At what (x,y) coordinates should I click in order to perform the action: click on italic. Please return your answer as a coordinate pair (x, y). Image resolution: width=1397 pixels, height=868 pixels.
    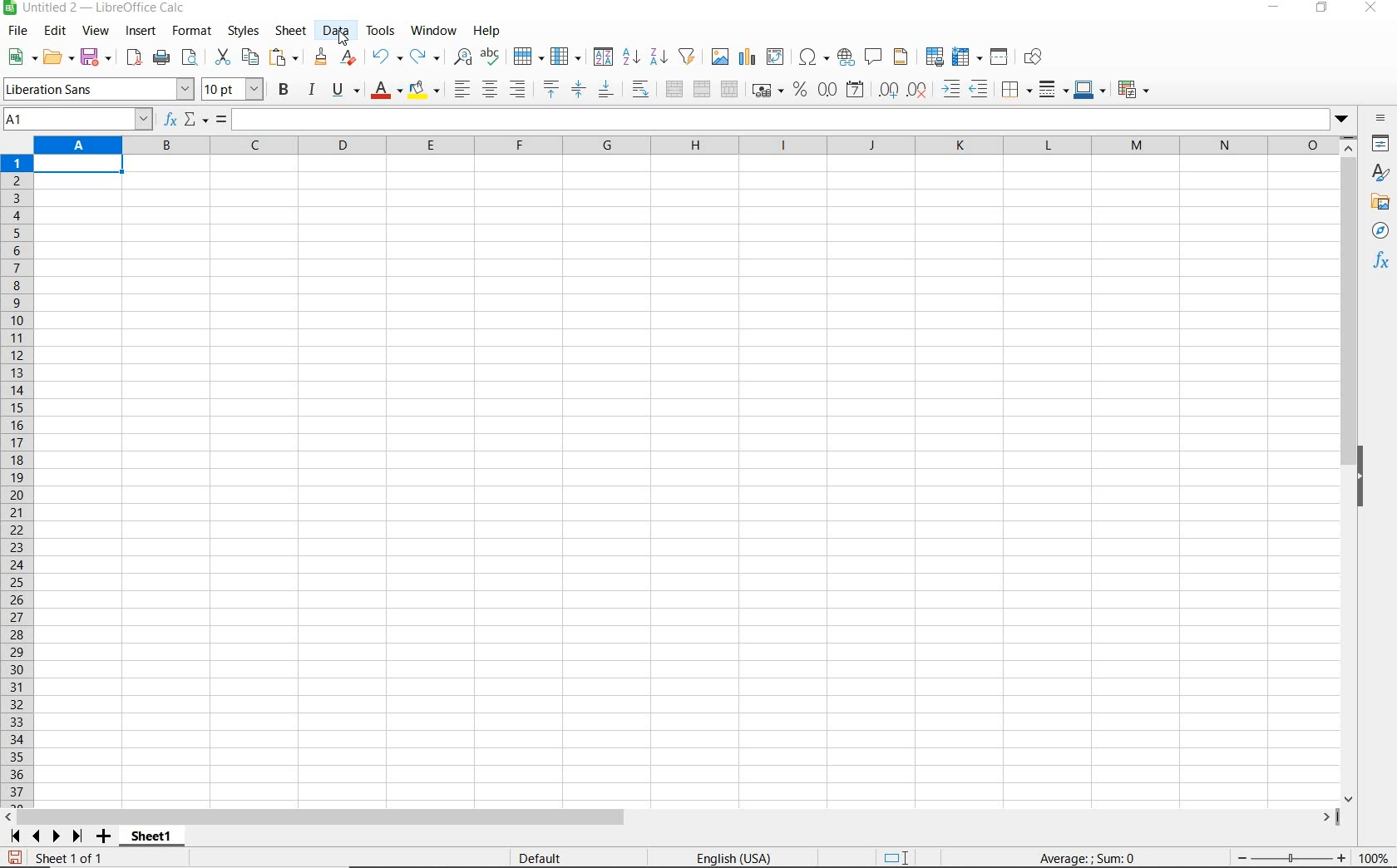
    Looking at the image, I should click on (311, 90).